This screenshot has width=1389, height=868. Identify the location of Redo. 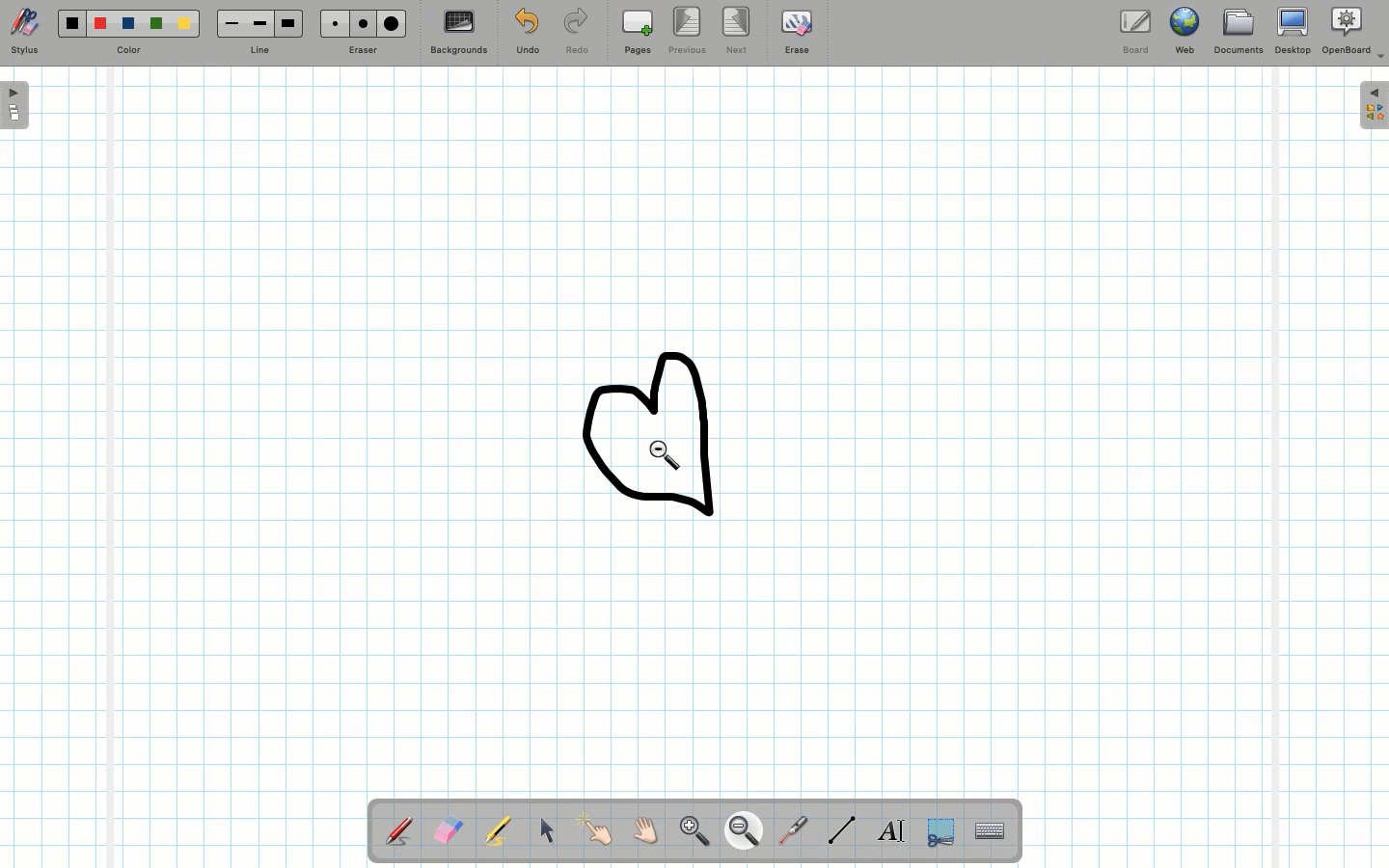
(574, 33).